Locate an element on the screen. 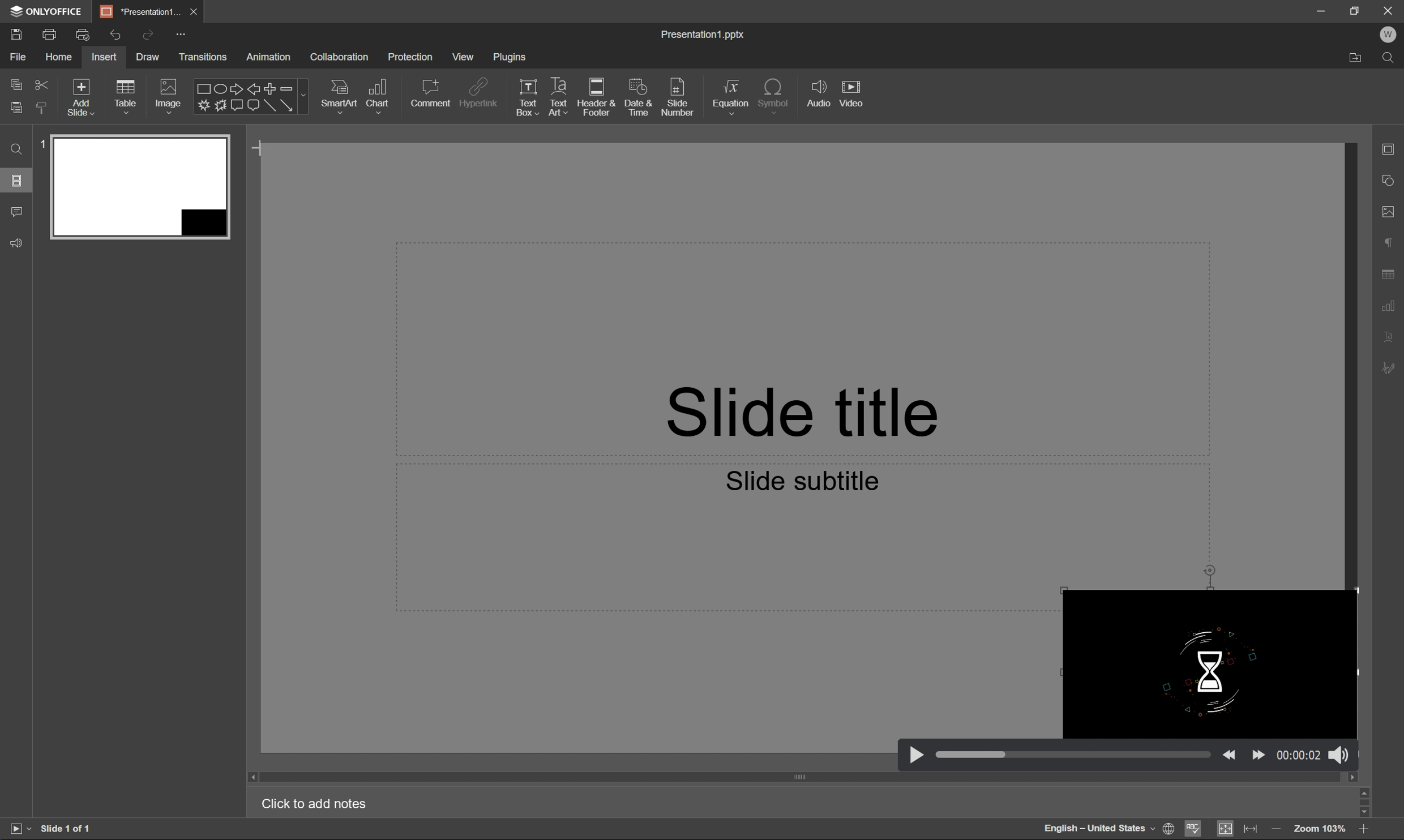  Close is located at coordinates (1388, 10).